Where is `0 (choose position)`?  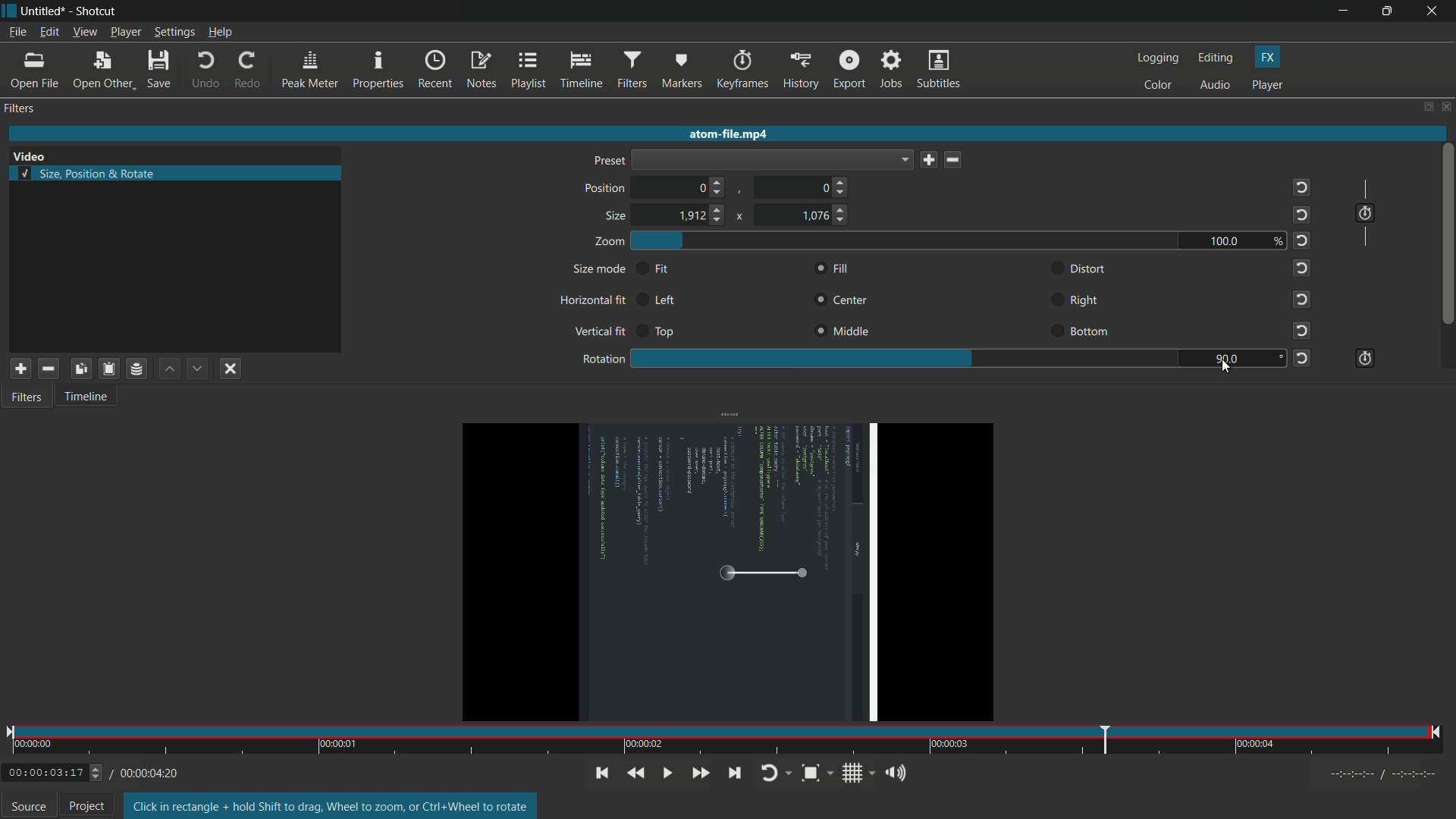
0 (choose position) is located at coordinates (836, 187).